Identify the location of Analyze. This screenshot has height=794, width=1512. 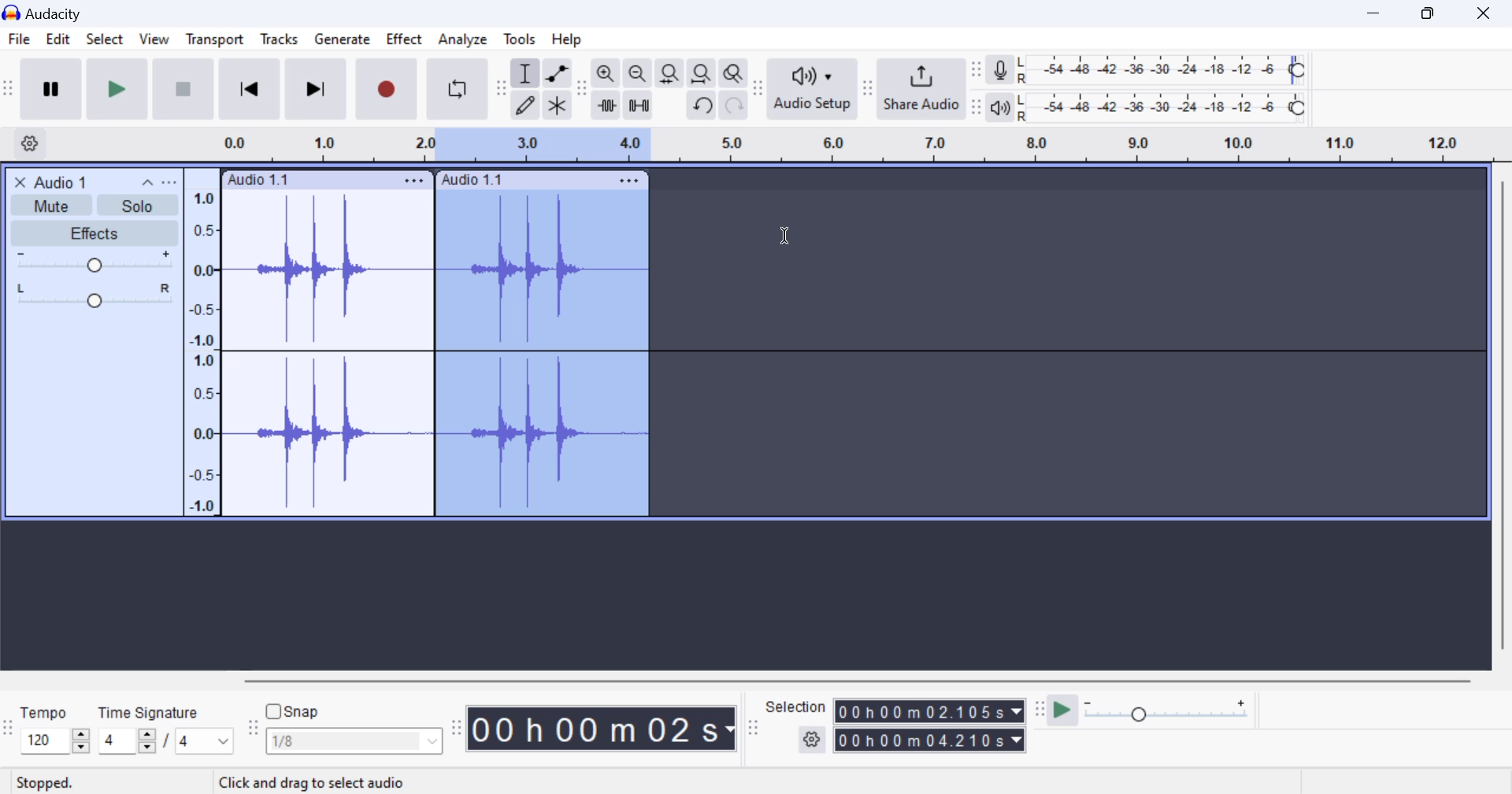
(463, 39).